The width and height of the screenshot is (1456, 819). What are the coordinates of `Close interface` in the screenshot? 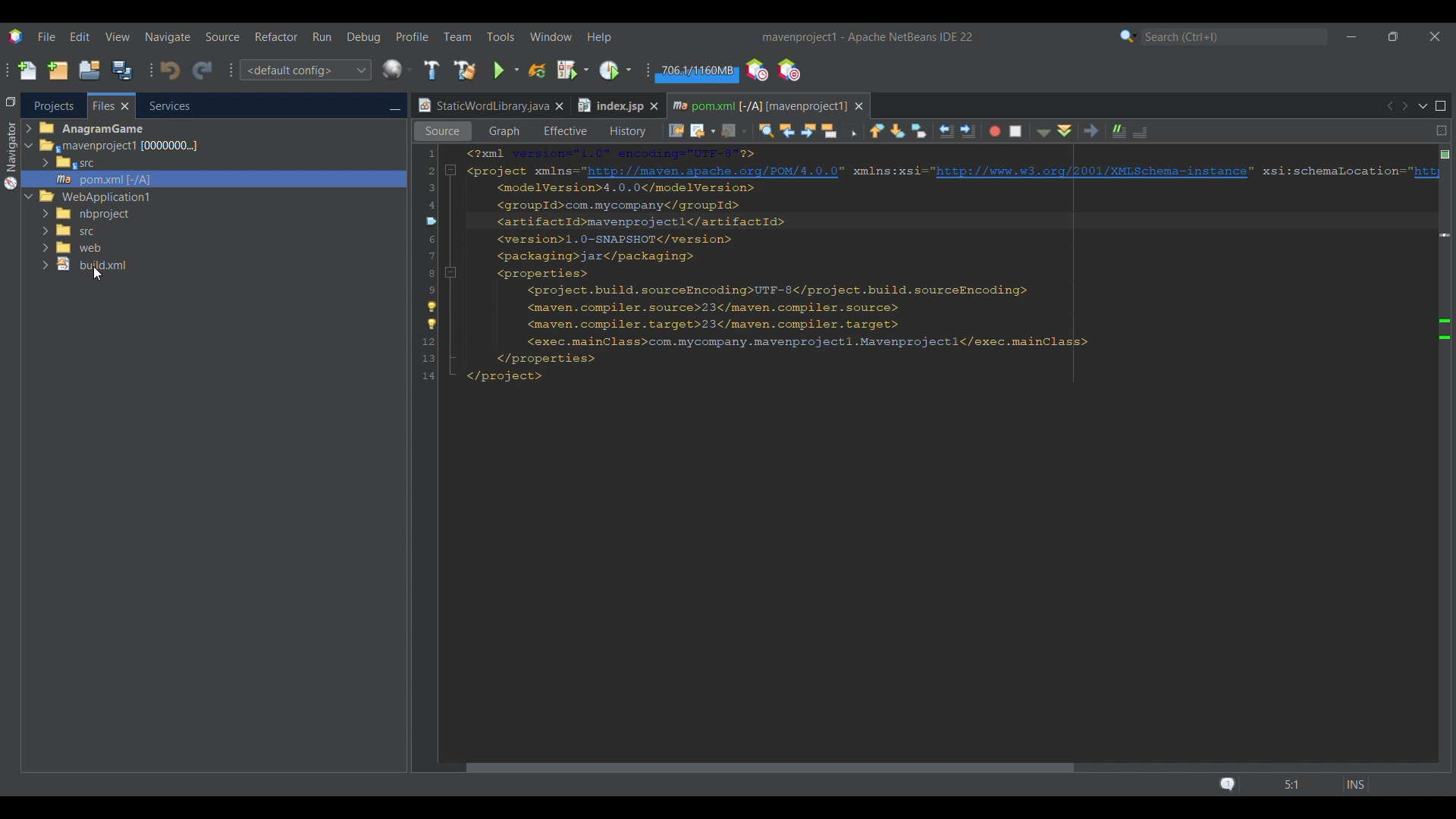 It's located at (1436, 36).